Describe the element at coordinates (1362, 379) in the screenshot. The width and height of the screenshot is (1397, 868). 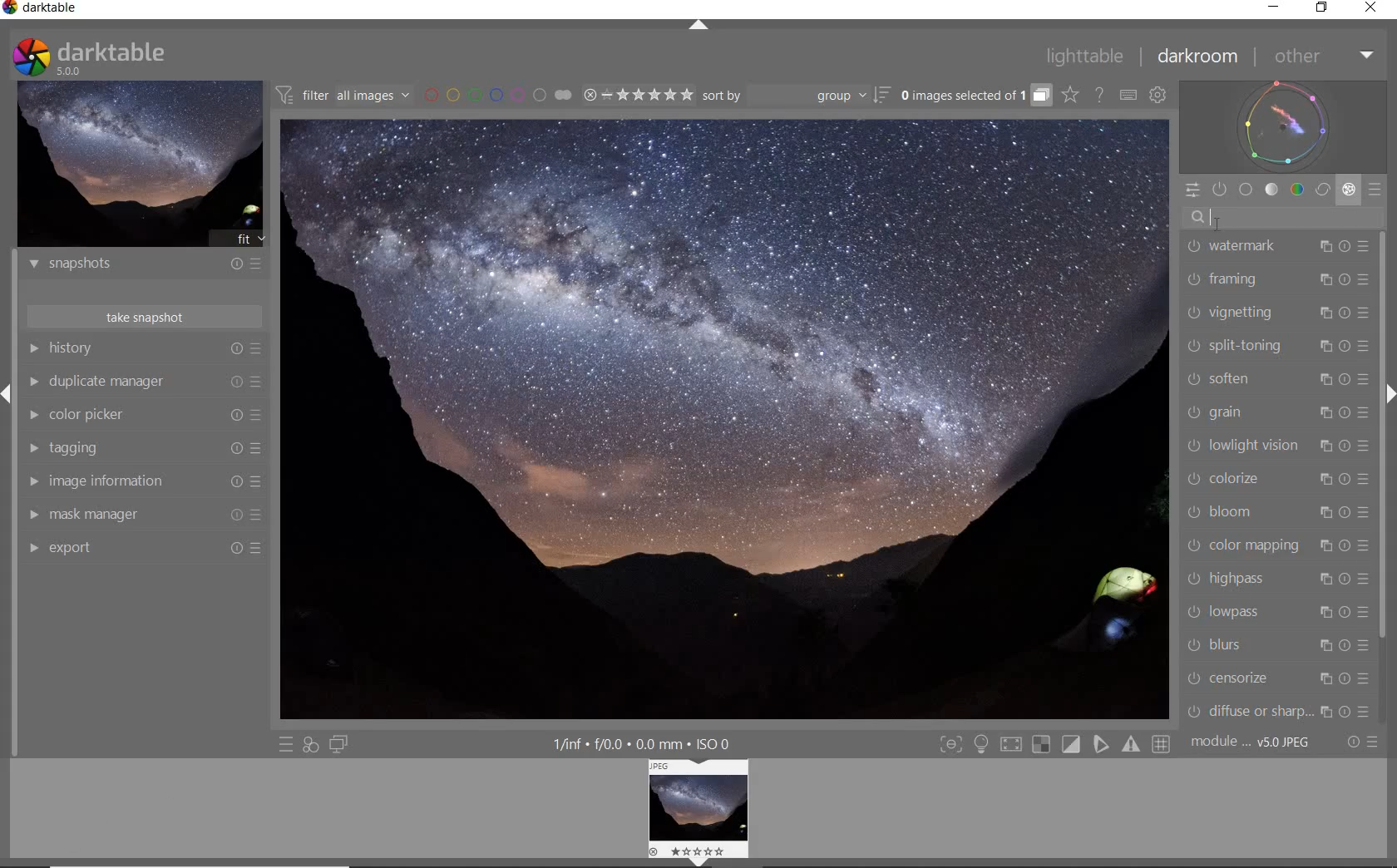
I see `presets` at that location.